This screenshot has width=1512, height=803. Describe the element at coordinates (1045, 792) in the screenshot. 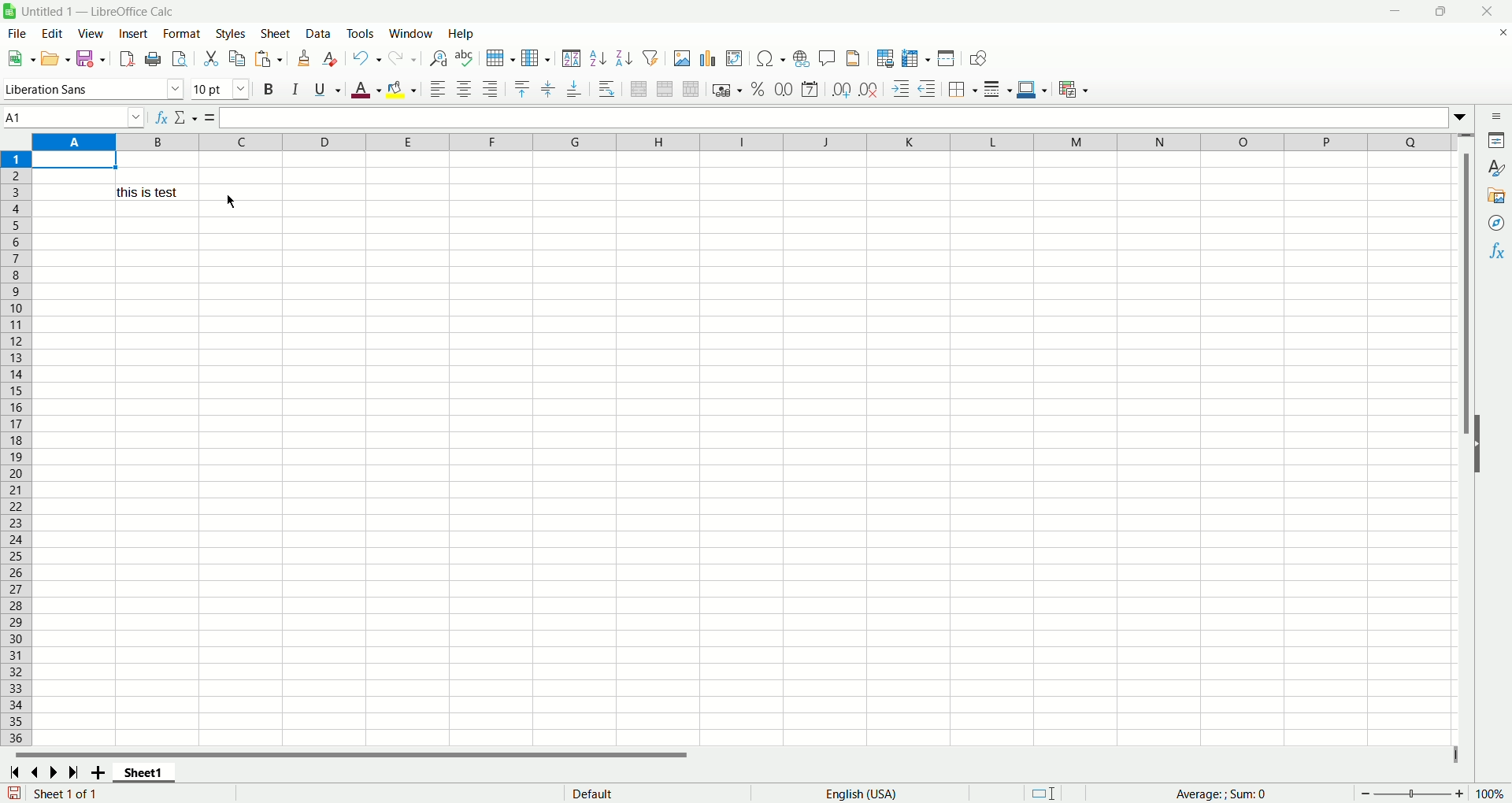

I see `standard selection` at that location.